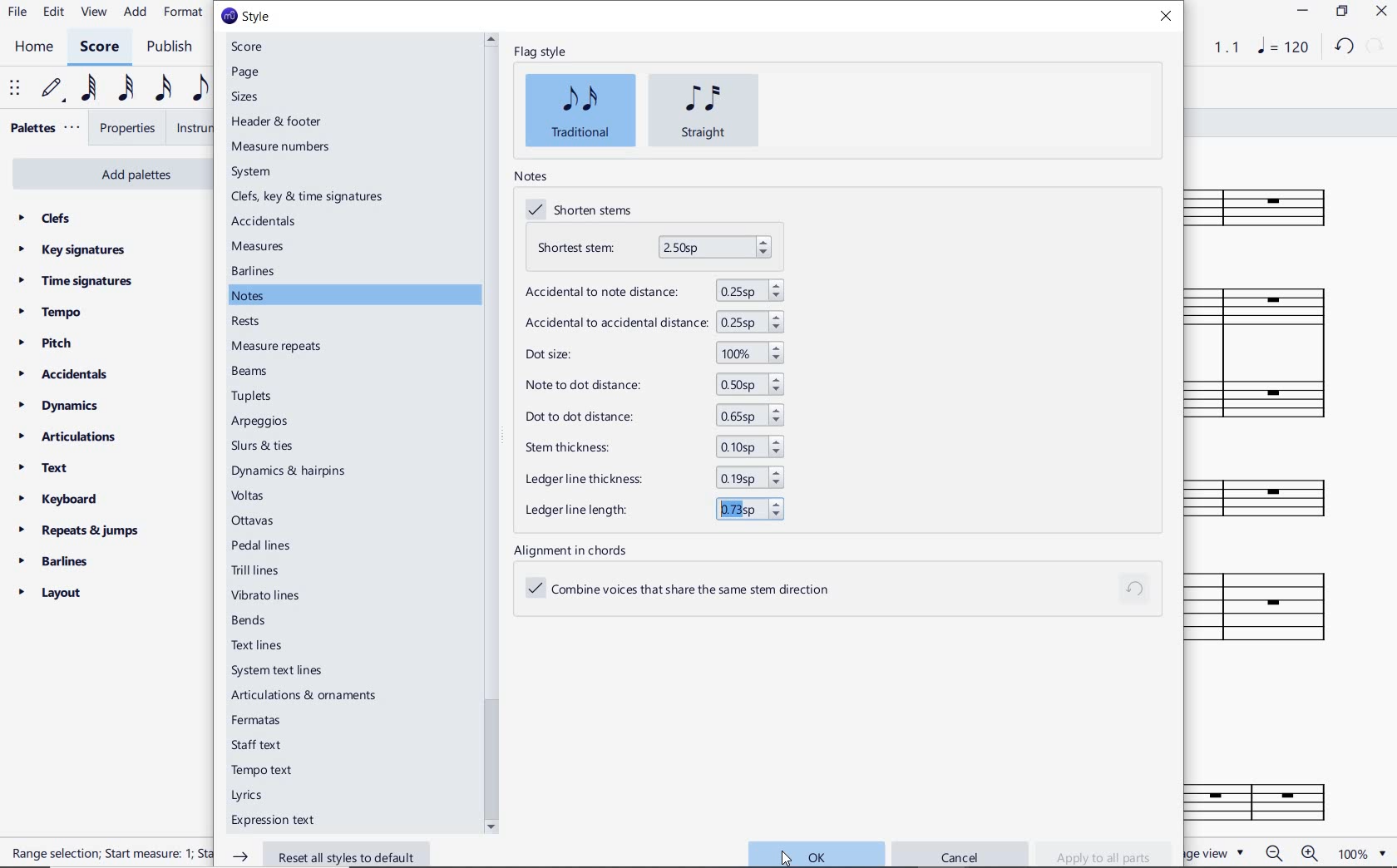 The width and height of the screenshot is (1397, 868). Describe the element at coordinates (254, 397) in the screenshot. I see `tuplets` at that location.